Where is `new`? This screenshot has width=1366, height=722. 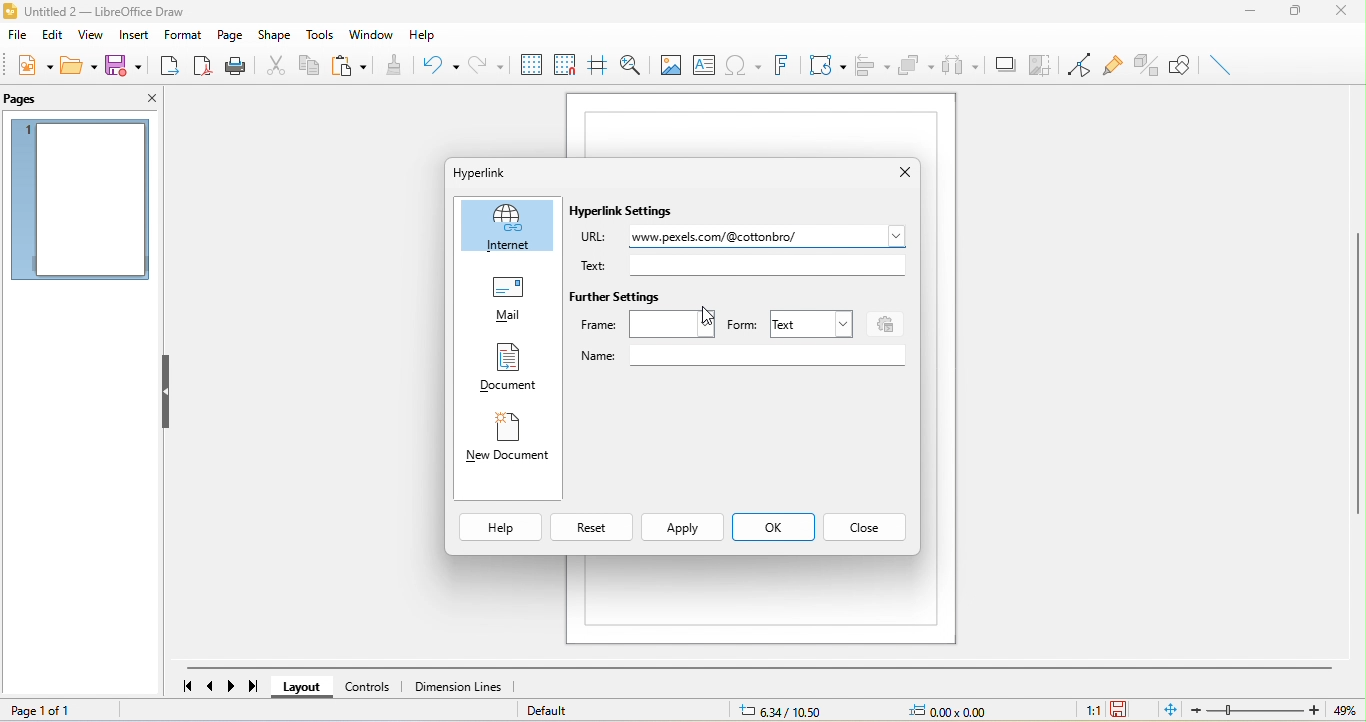
new is located at coordinates (28, 69).